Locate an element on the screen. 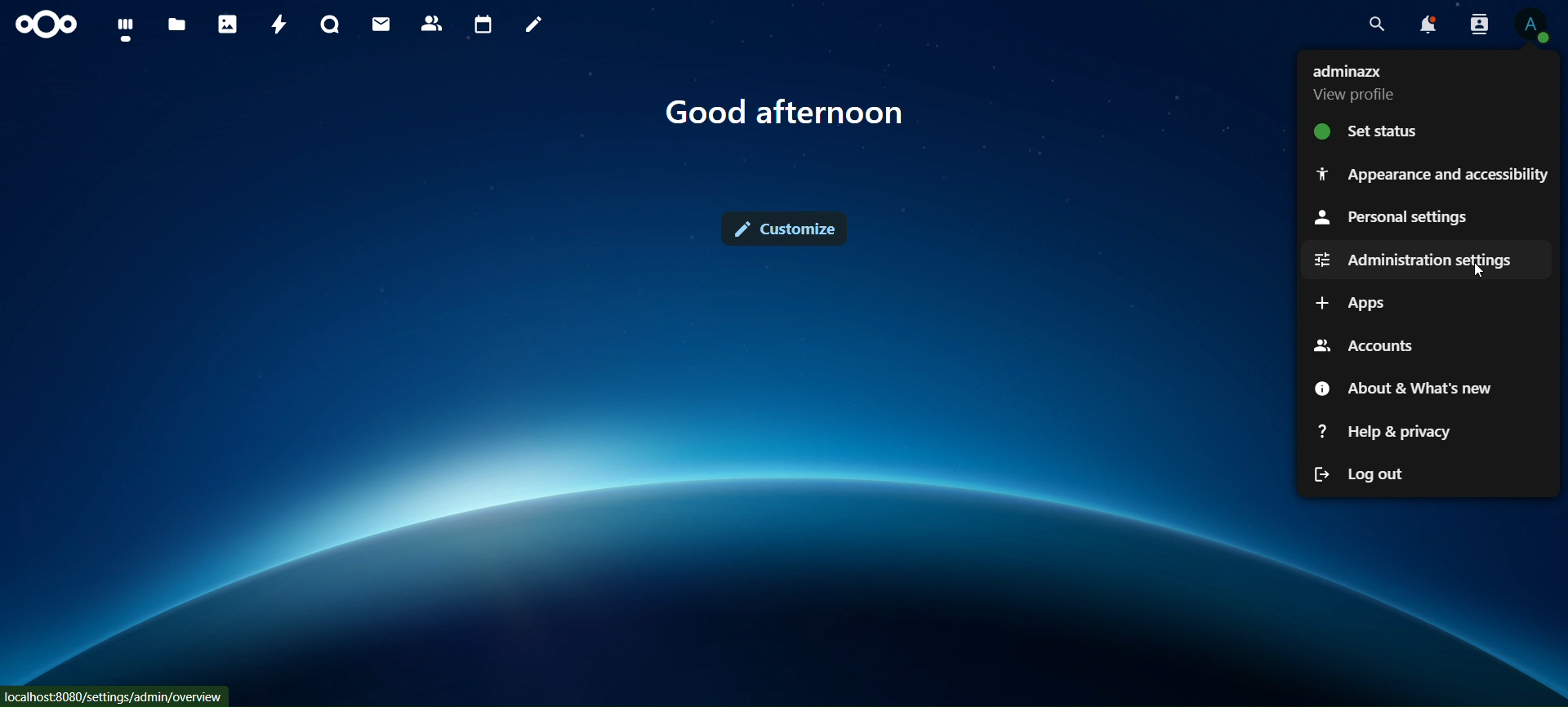 This screenshot has height=707, width=1568. Url is located at coordinates (115, 696).